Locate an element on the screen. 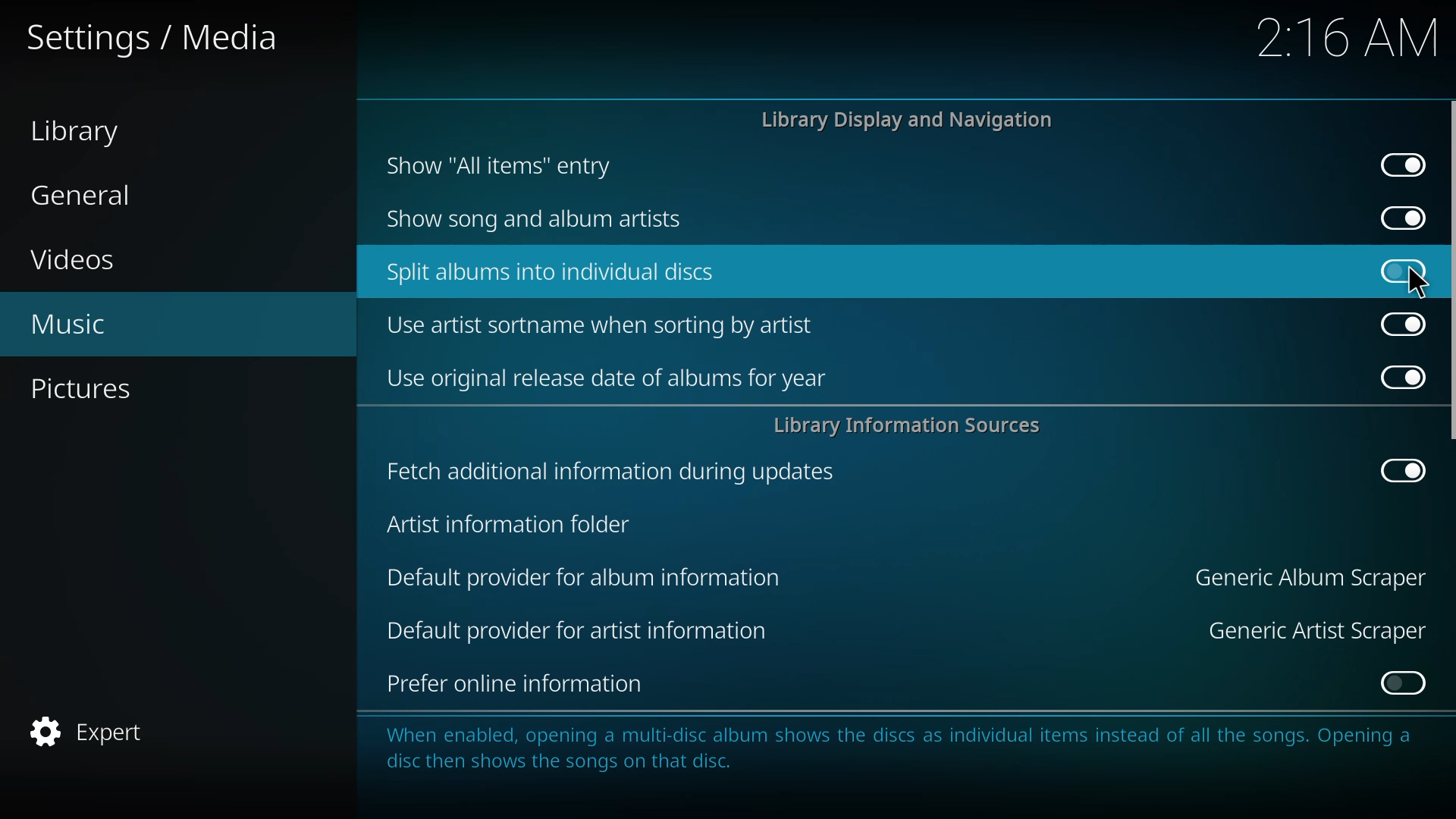 This screenshot has width=1456, height=819. show all items entry is located at coordinates (496, 165).